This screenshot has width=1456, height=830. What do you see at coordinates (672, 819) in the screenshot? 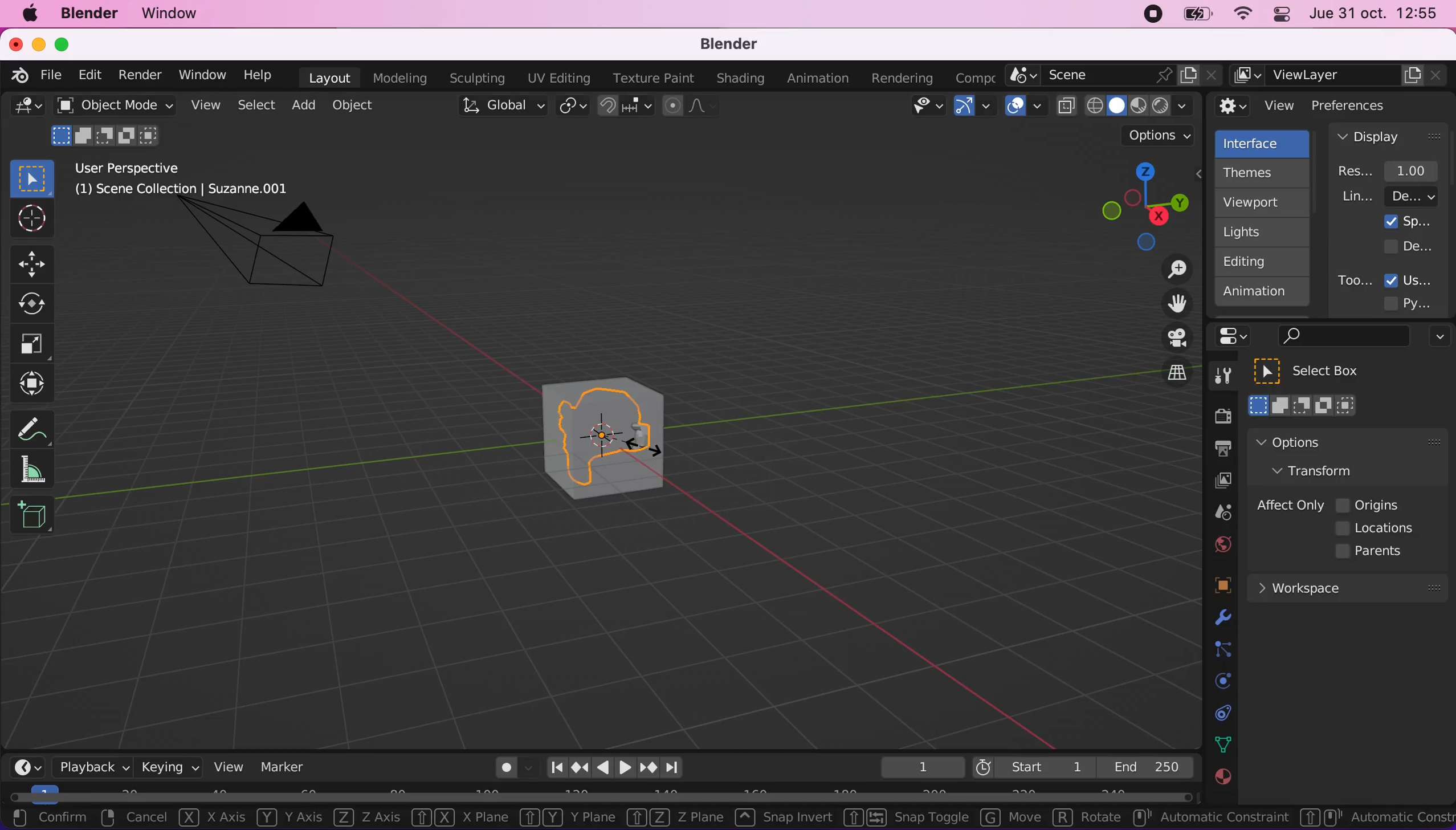
I see `z plane` at bounding box center [672, 819].